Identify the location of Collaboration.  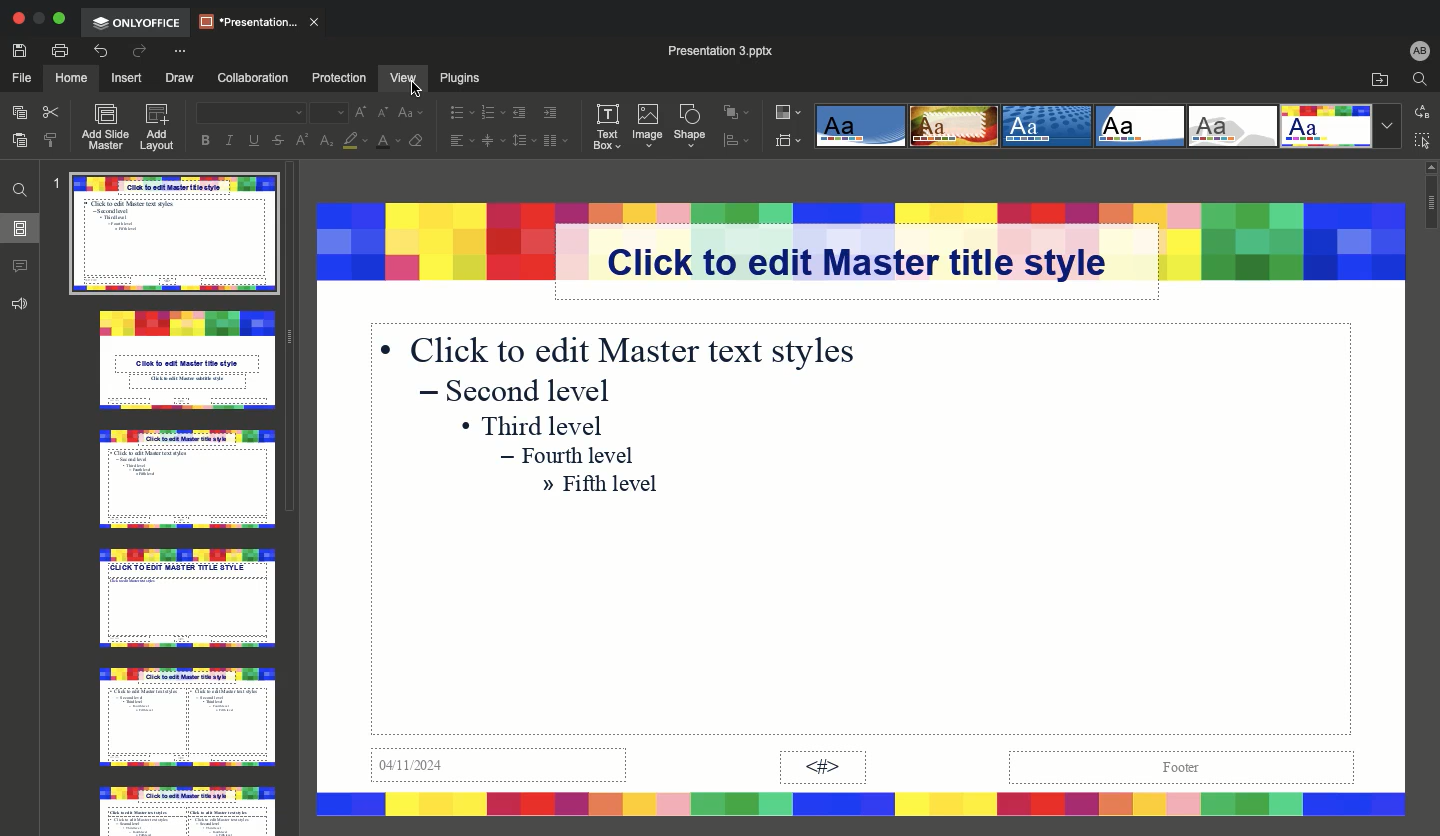
(252, 77).